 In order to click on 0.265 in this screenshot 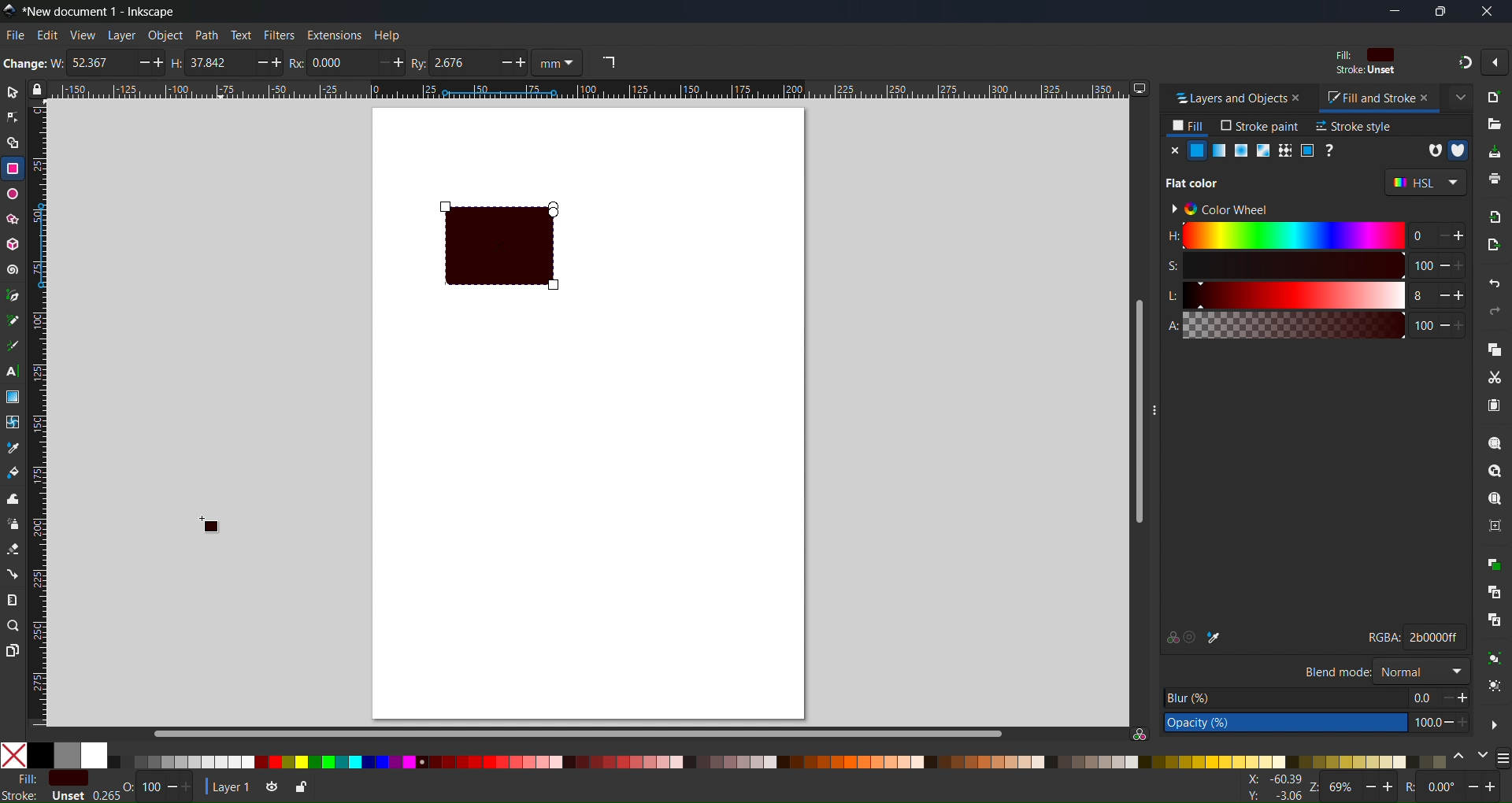, I will do `click(102, 796)`.